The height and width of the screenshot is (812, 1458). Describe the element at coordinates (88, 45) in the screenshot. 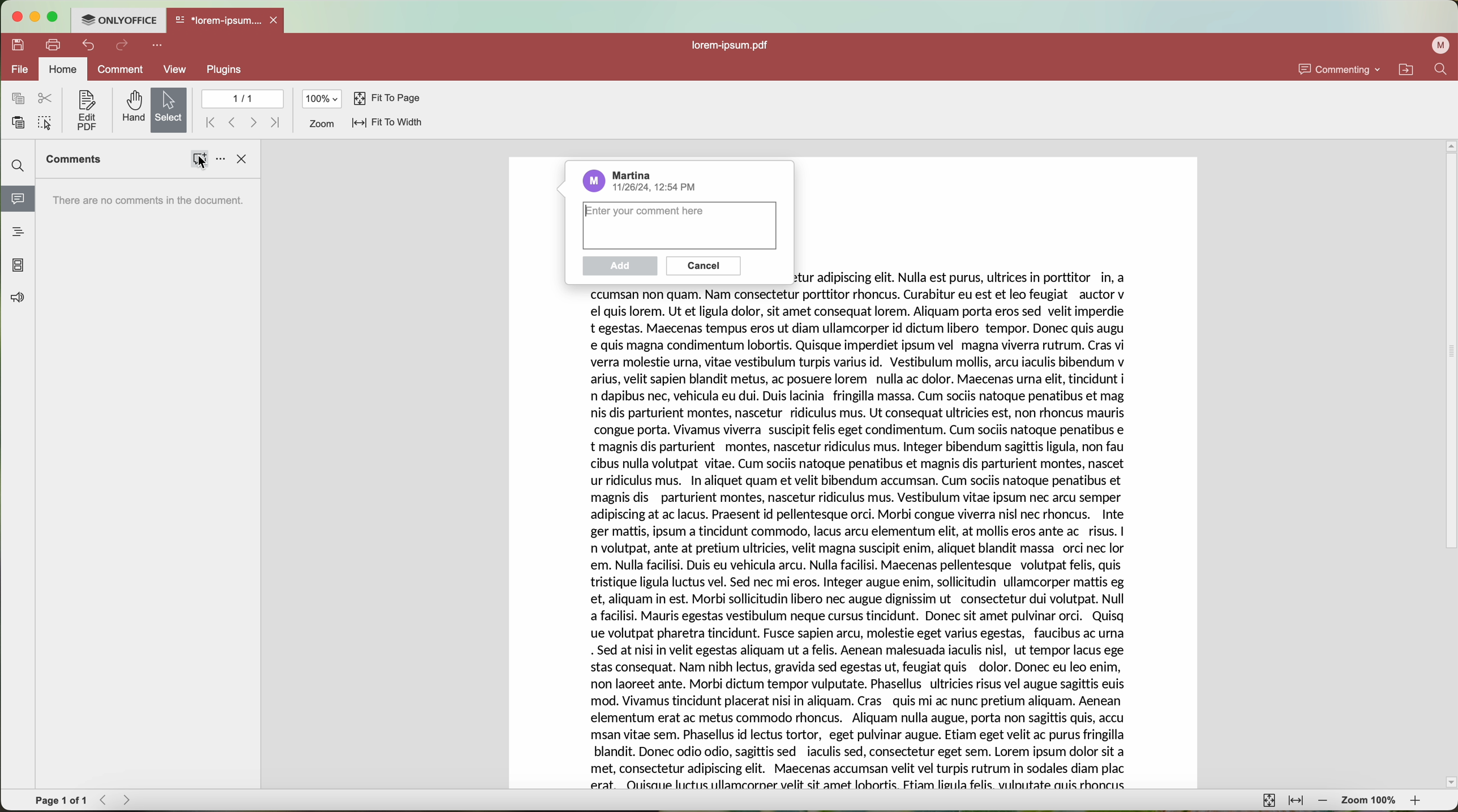

I see `undo` at that location.